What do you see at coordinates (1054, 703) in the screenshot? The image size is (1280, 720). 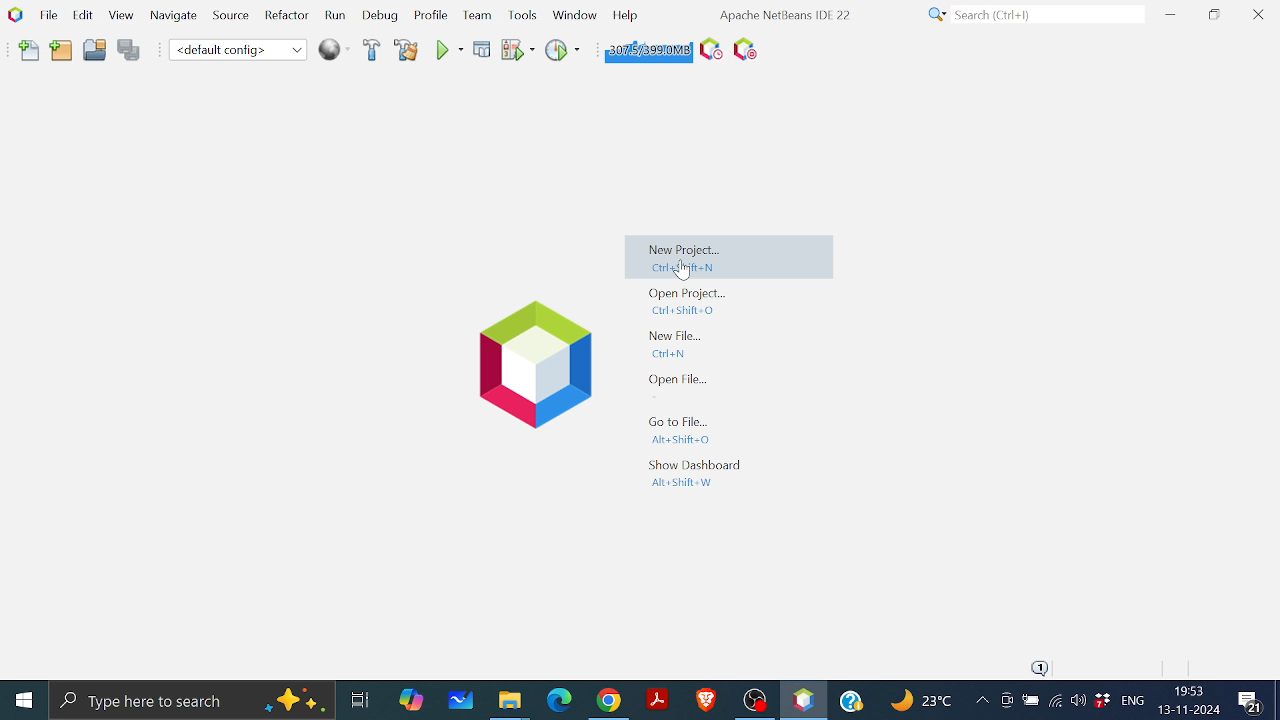 I see `Internet Access` at bounding box center [1054, 703].